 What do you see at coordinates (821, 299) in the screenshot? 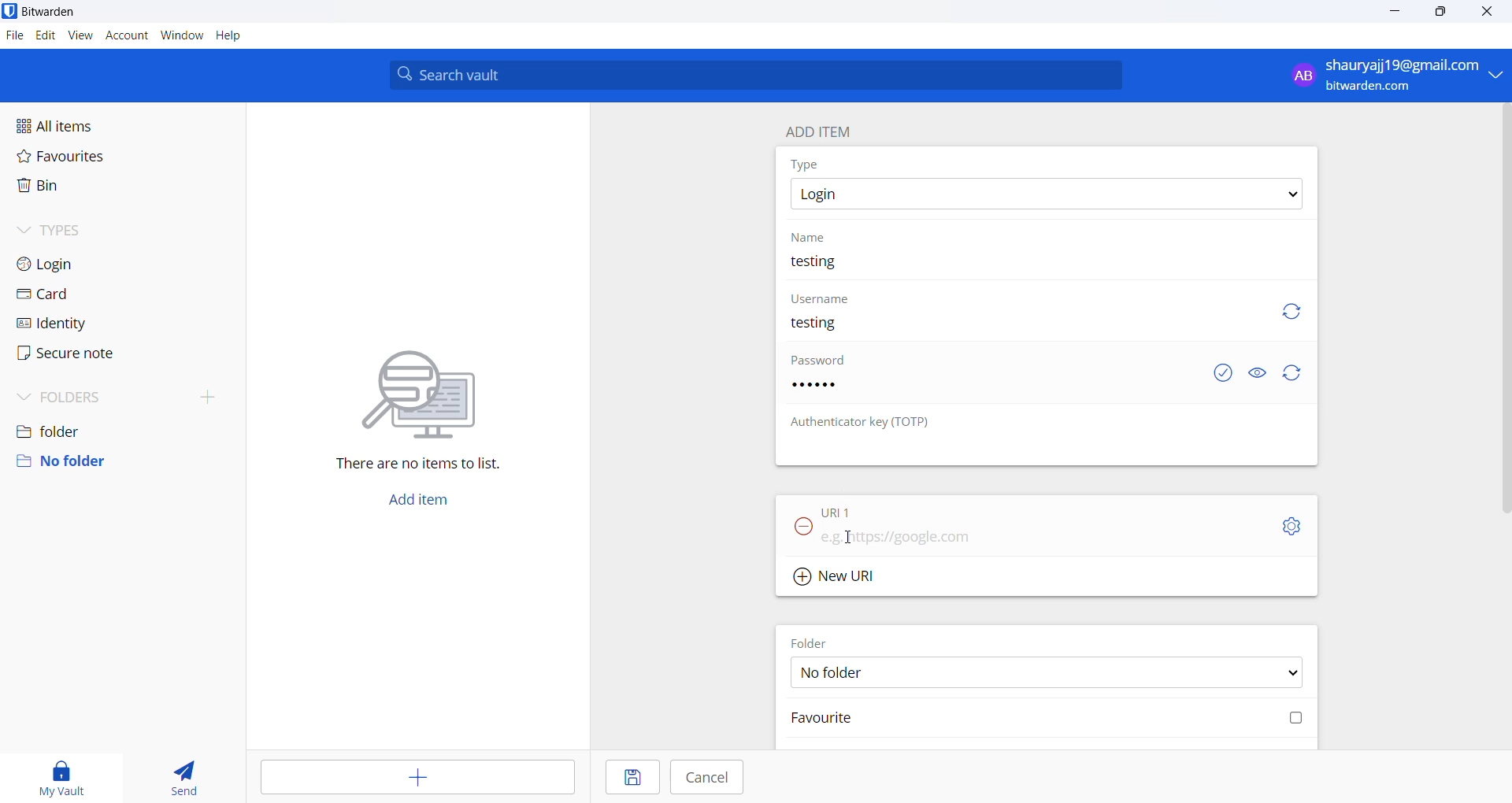
I see `username heading` at bounding box center [821, 299].